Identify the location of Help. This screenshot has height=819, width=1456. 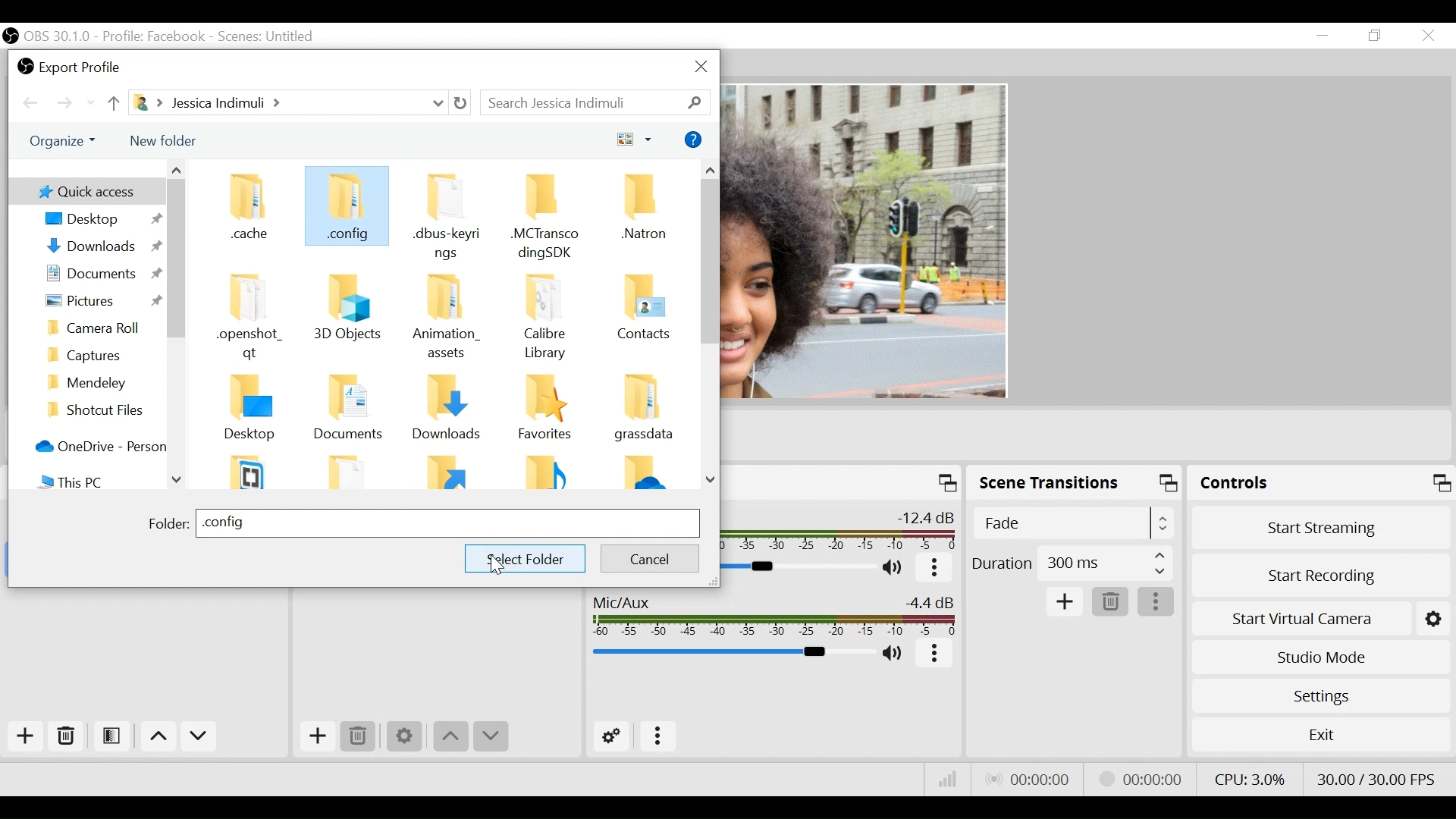
(695, 140).